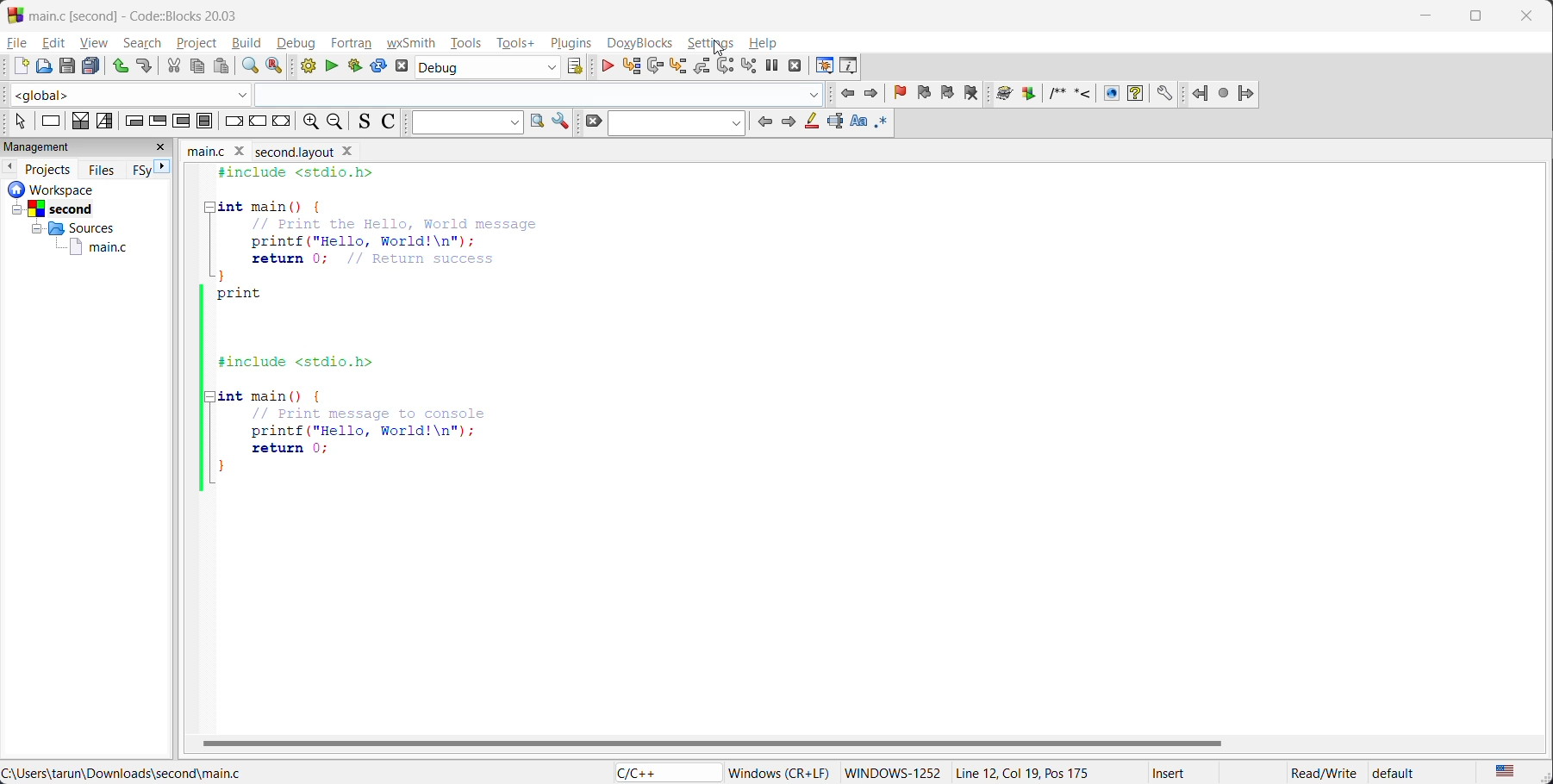 The height and width of the screenshot is (784, 1553). Describe the element at coordinates (52, 208) in the screenshot. I see `` at that location.